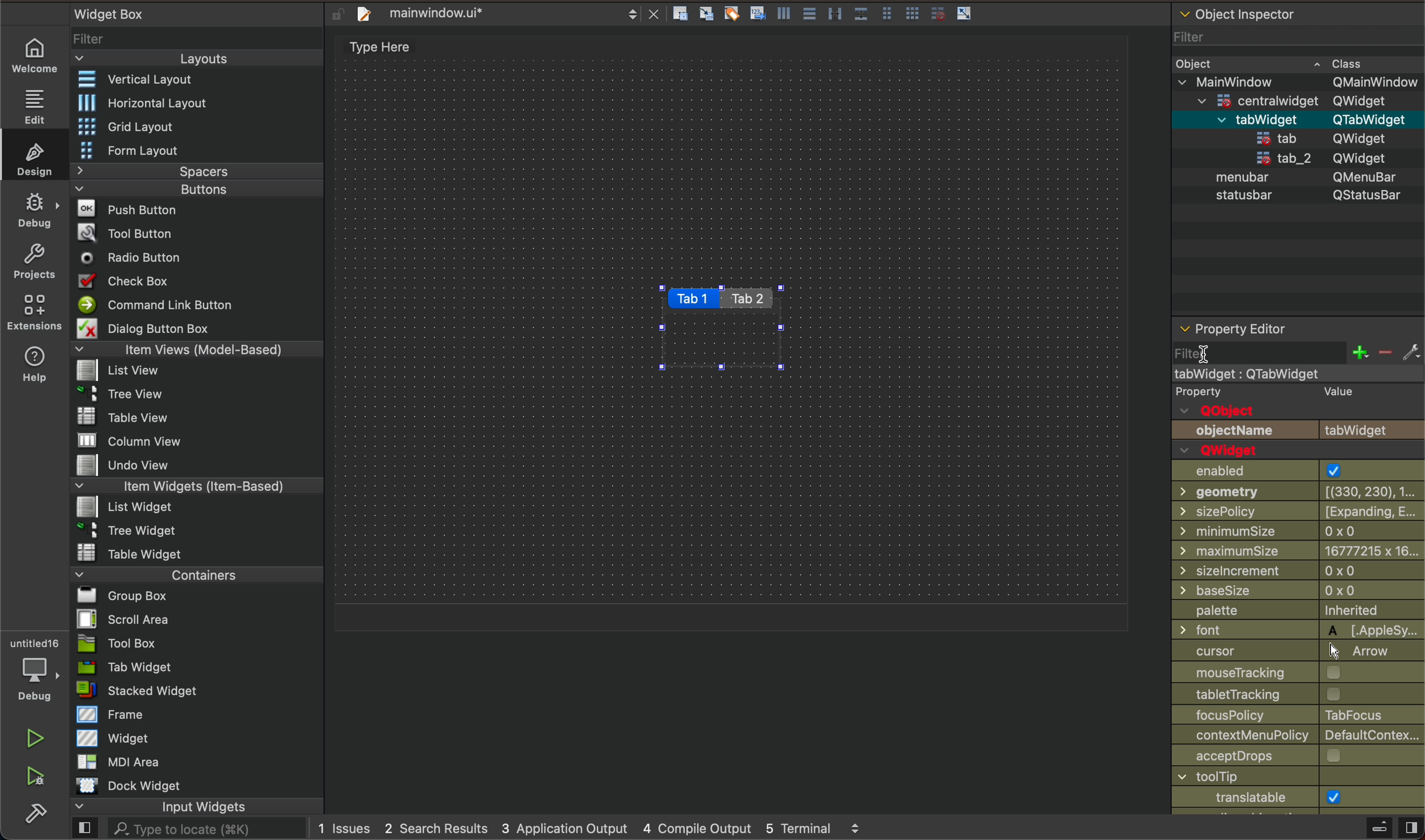 The width and height of the screenshot is (1425, 840). What do you see at coordinates (1298, 571) in the screenshot?
I see `size increment` at bounding box center [1298, 571].